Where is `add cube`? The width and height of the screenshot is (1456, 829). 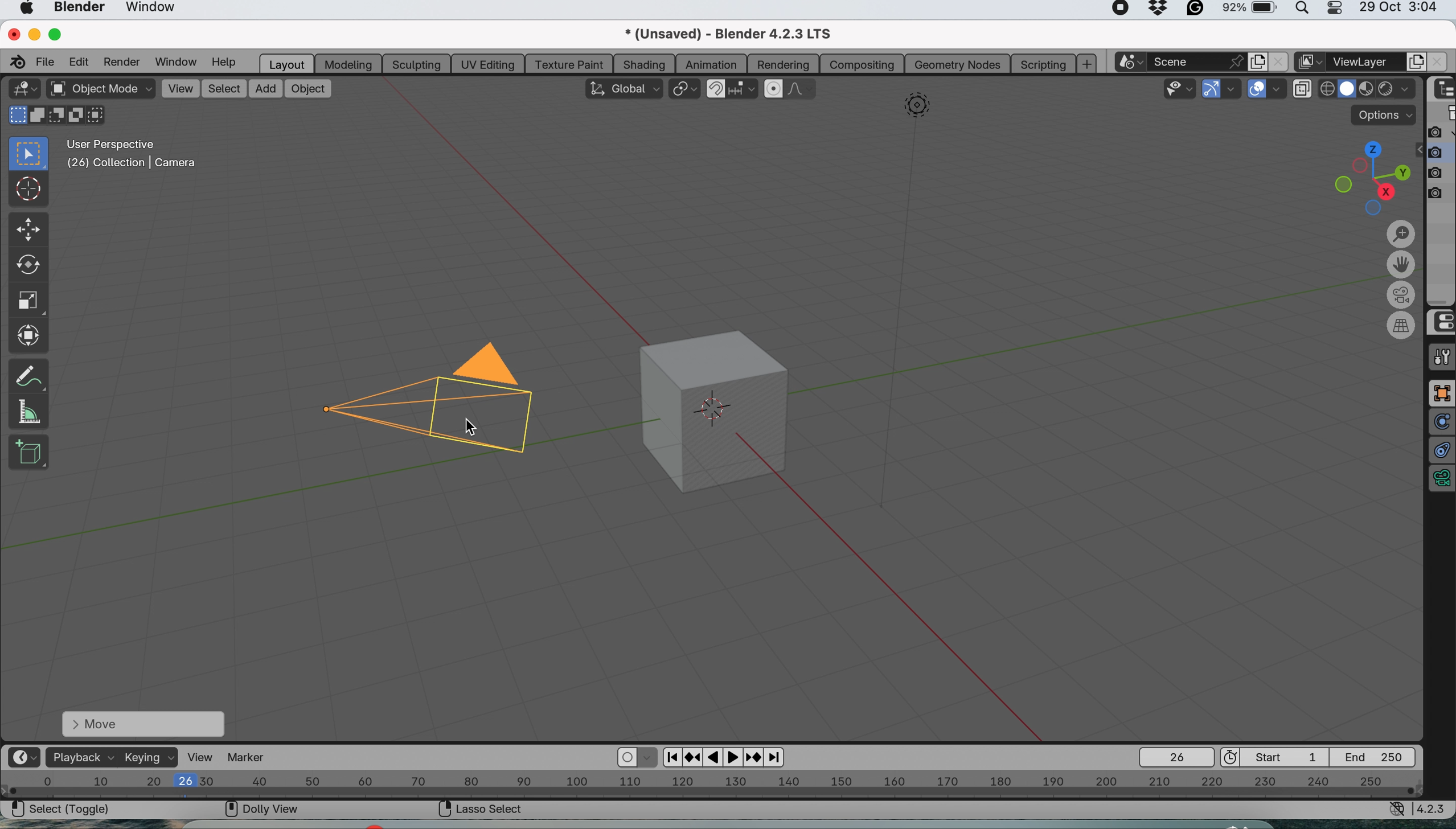
add cube is located at coordinates (29, 452).